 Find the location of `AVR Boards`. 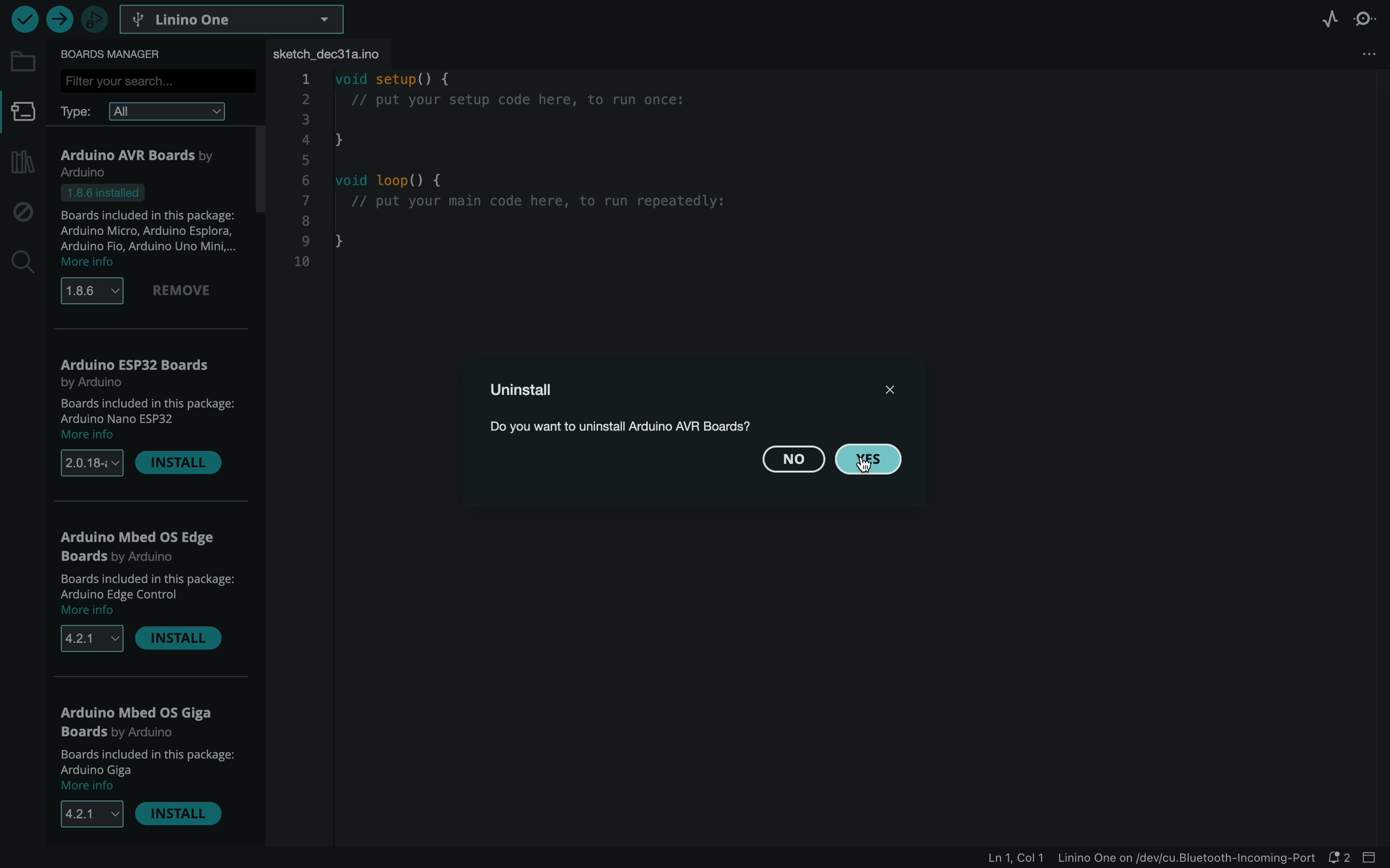

AVR Boards is located at coordinates (150, 160).